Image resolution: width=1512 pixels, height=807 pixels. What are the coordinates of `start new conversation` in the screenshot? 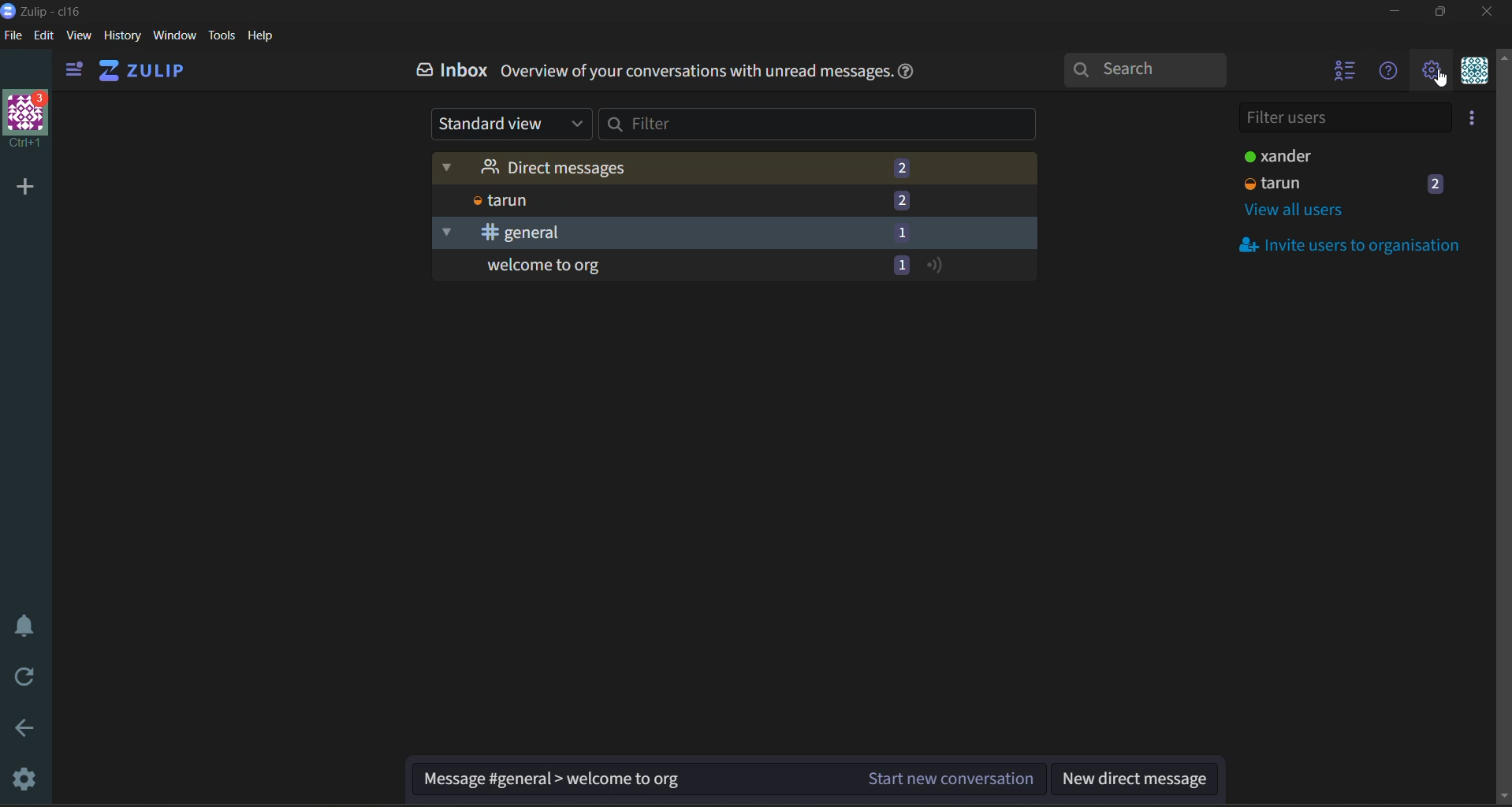 It's located at (953, 779).